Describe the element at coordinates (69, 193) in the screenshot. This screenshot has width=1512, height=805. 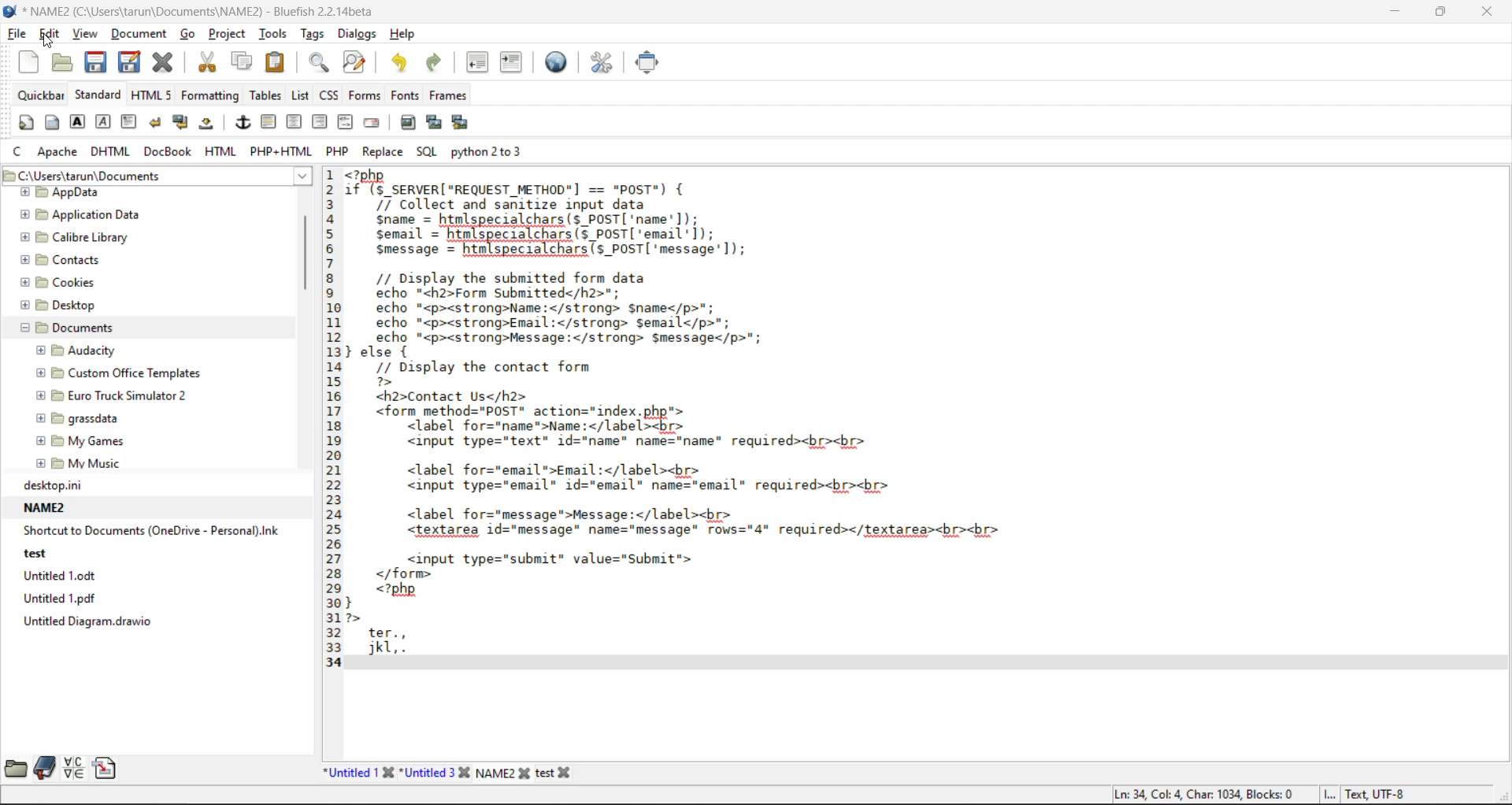
I see `appdata` at that location.